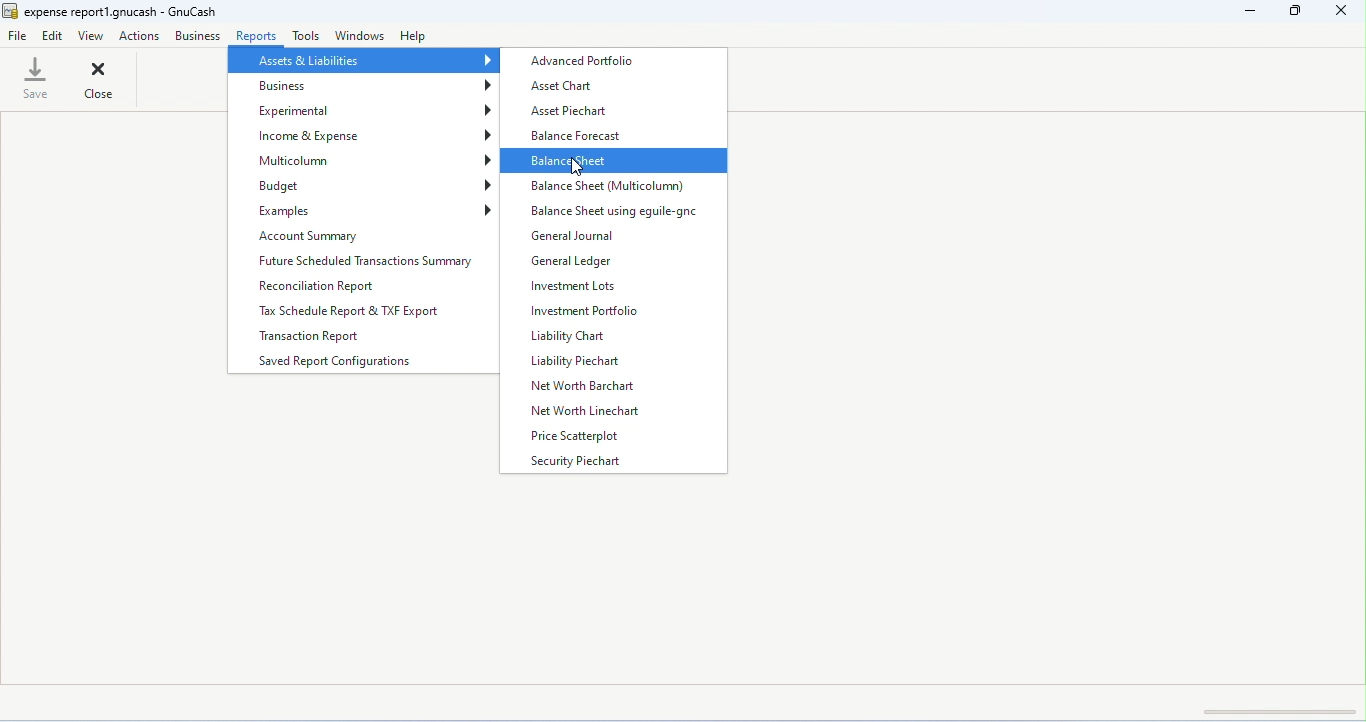 This screenshot has height=722, width=1366. I want to click on balance sheet (multicolumn), so click(609, 186).